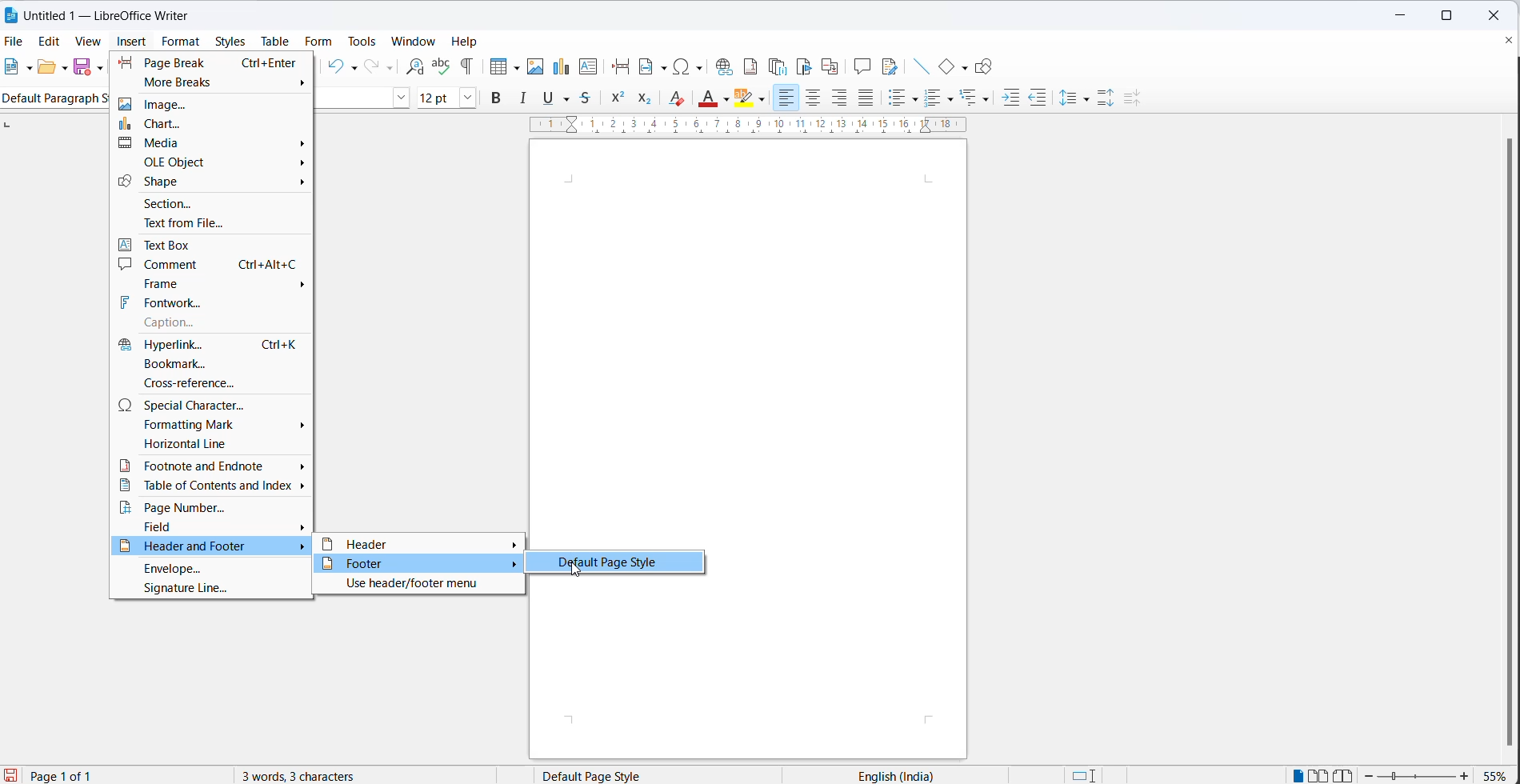  What do you see at coordinates (1498, 14) in the screenshot?
I see `close` at bounding box center [1498, 14].